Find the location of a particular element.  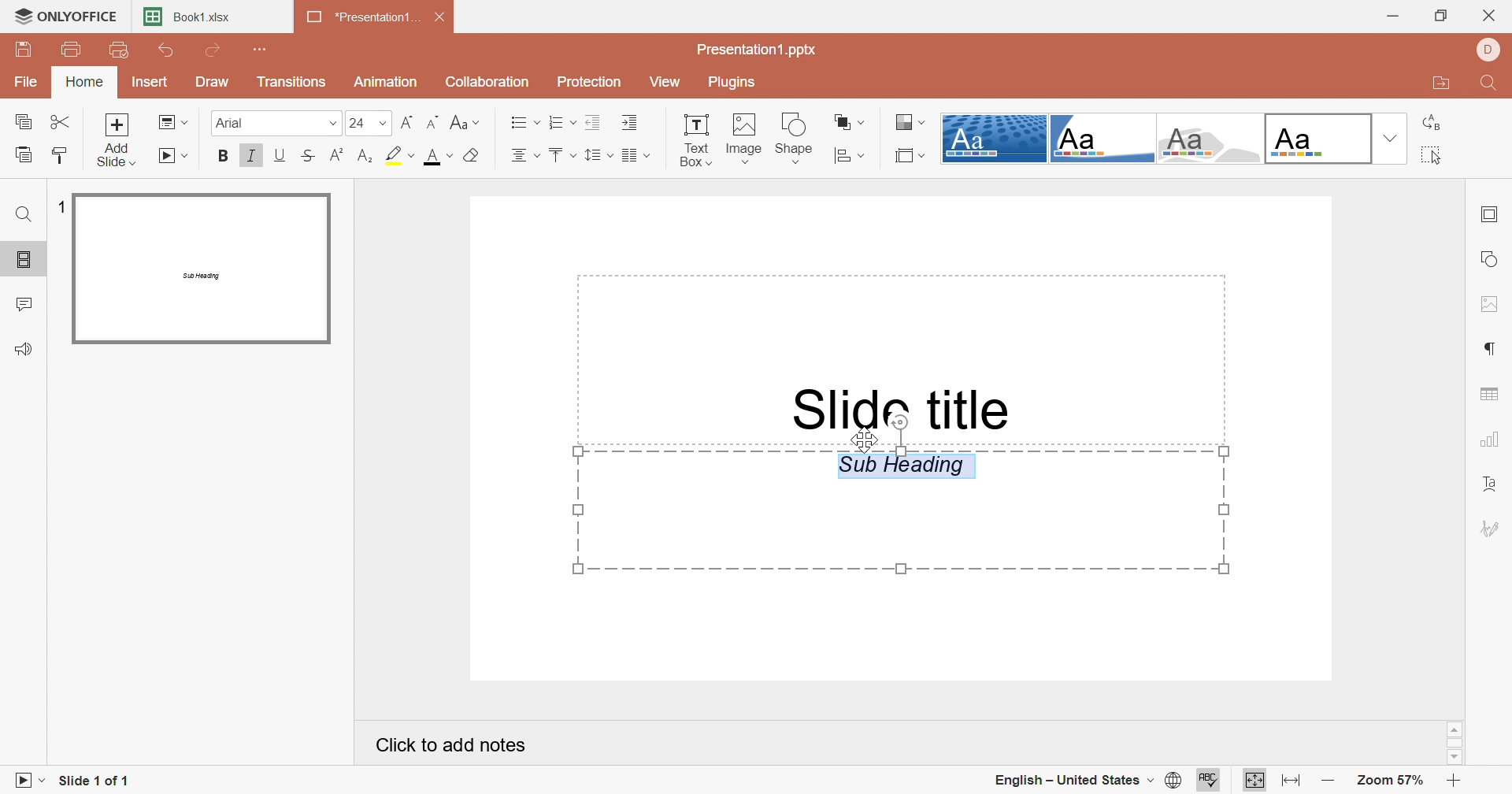

Customize quick access toolbar is located at coordinates (258, 49).